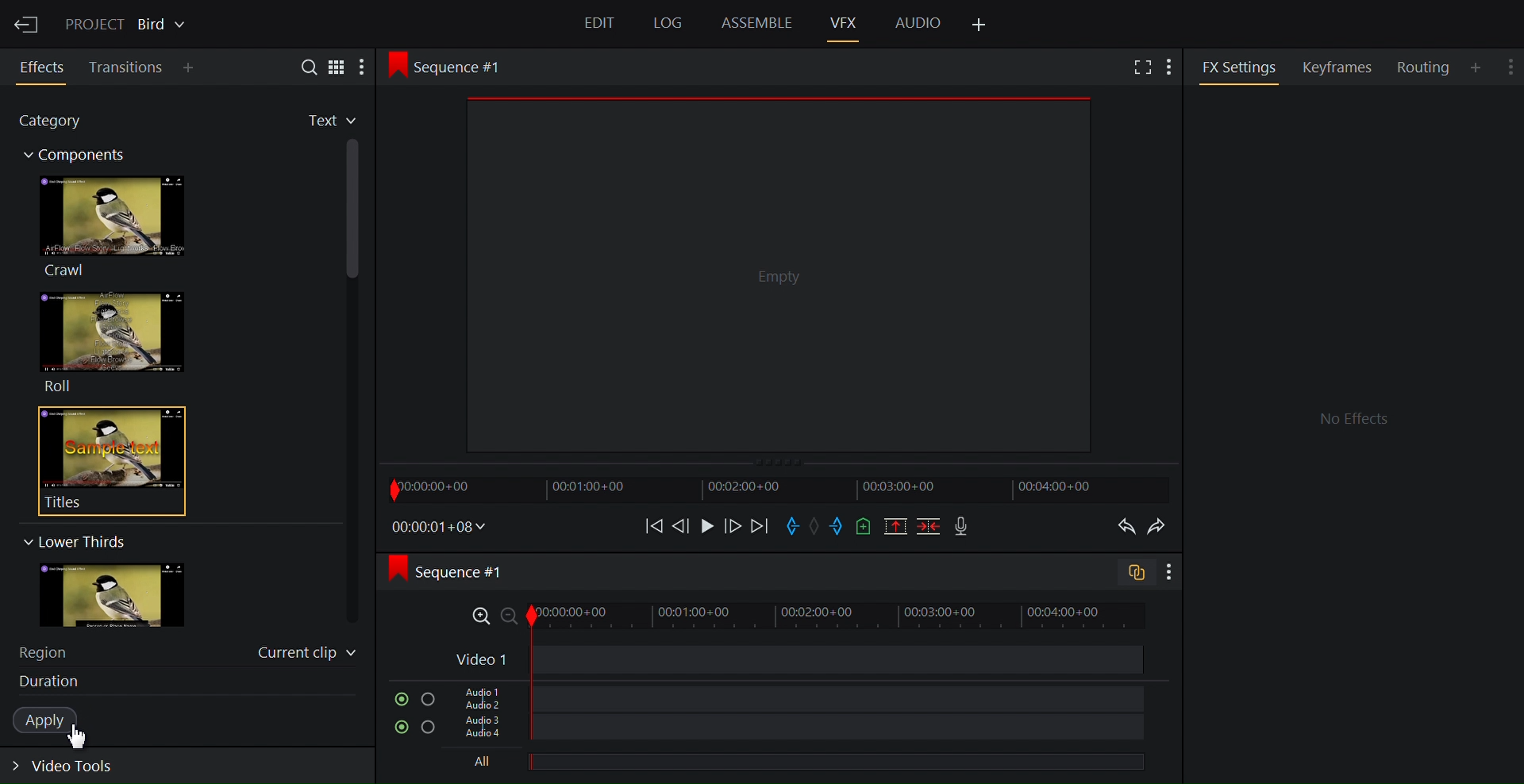 This screenshot has height=784, width=1524. What do you see at coordinates (845, 22) in the screenshot?
I see `VFX` at bounding box center [845, 22].